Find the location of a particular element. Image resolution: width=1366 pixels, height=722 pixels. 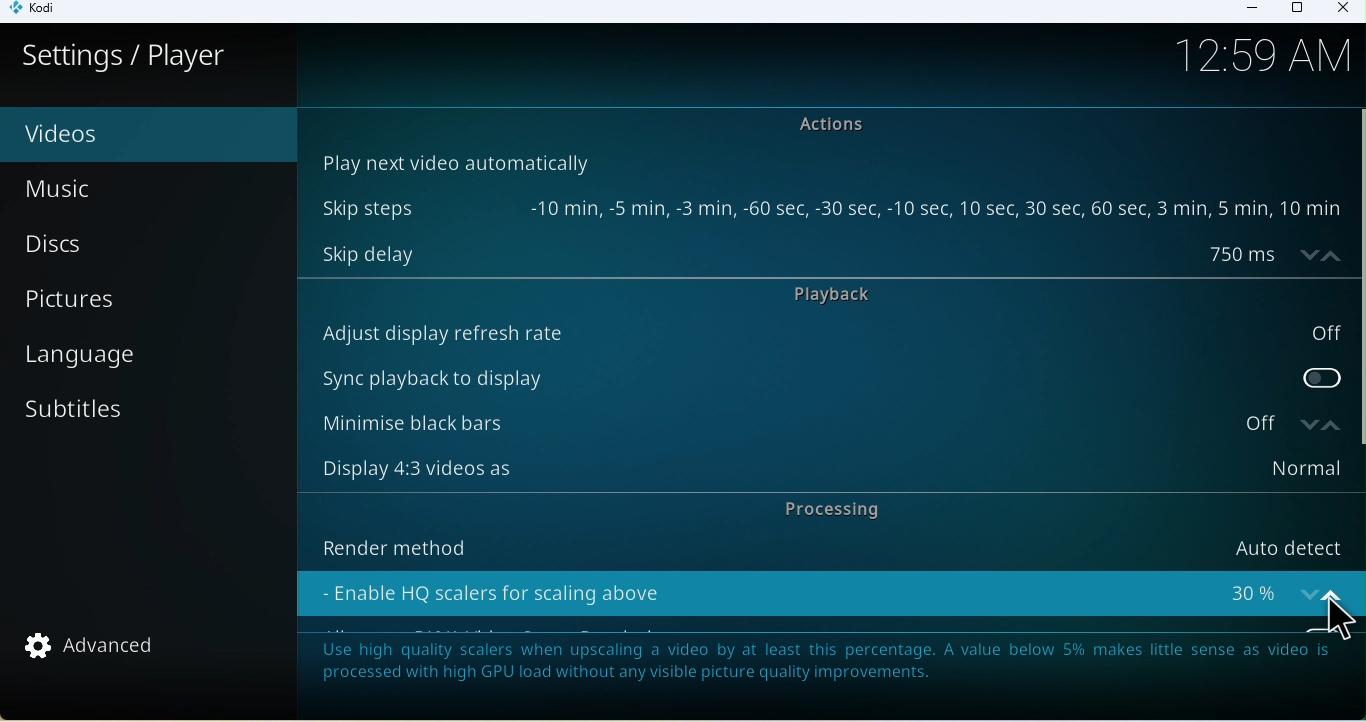

Subtitles is located at coordinates (127, 417).